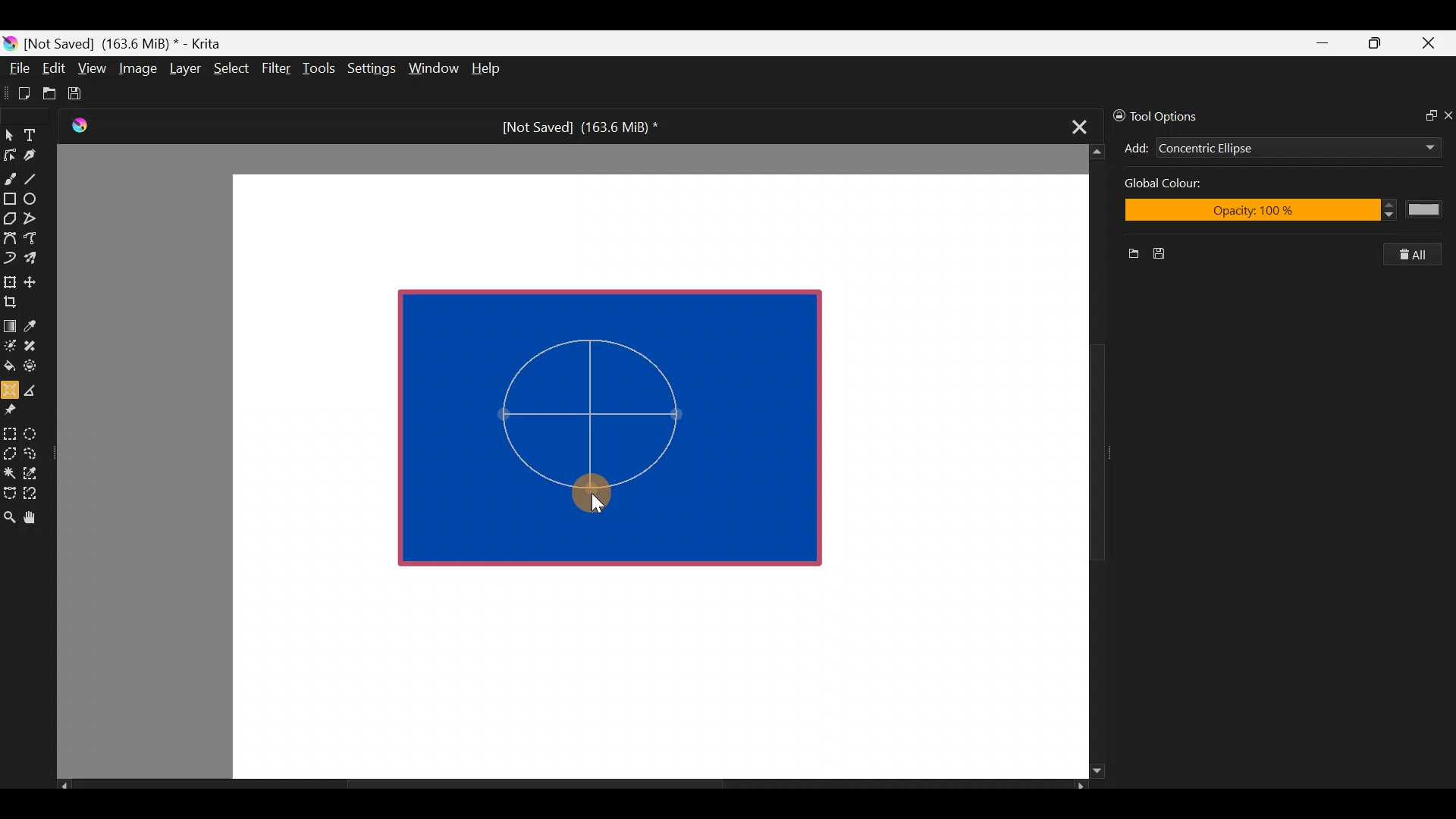 The width and height of the screenshot is (1456, 819). Describe the element at coordinates (1178, 116) in the screenshot. I see `Tool options` at that location.